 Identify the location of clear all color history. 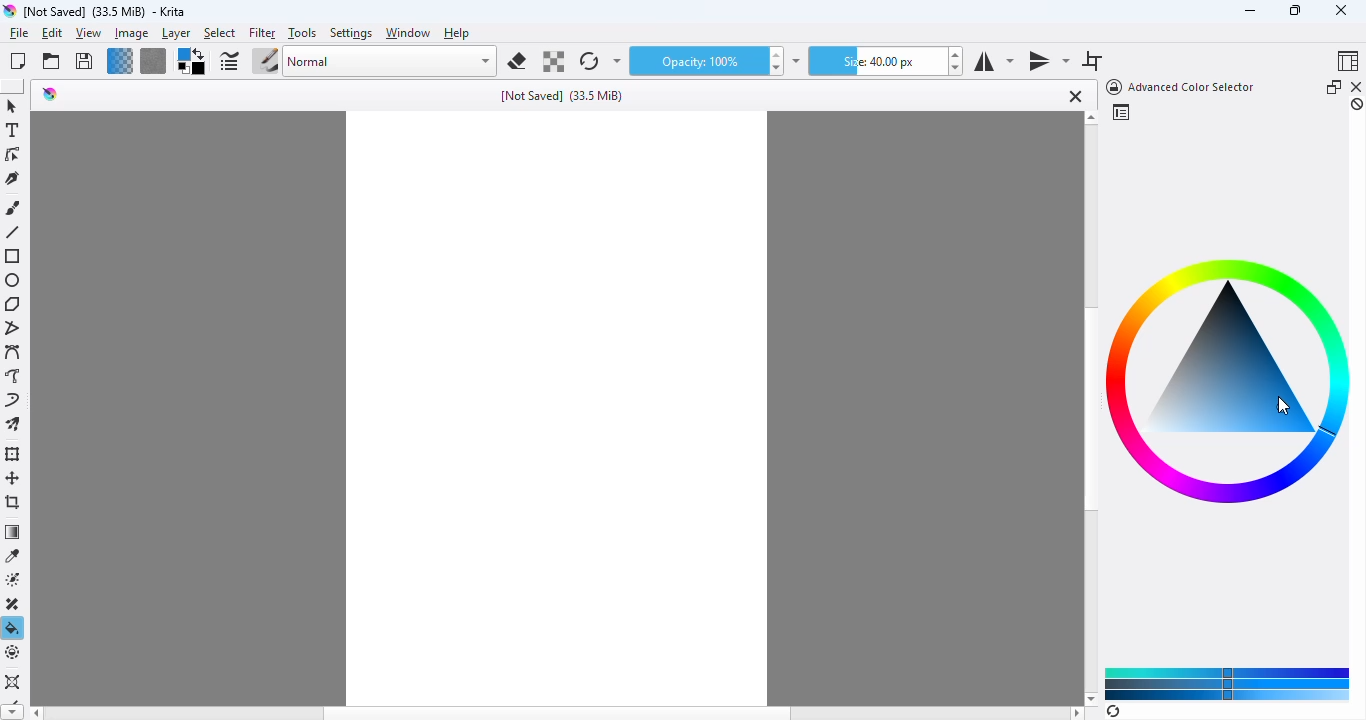
(1357, 104).